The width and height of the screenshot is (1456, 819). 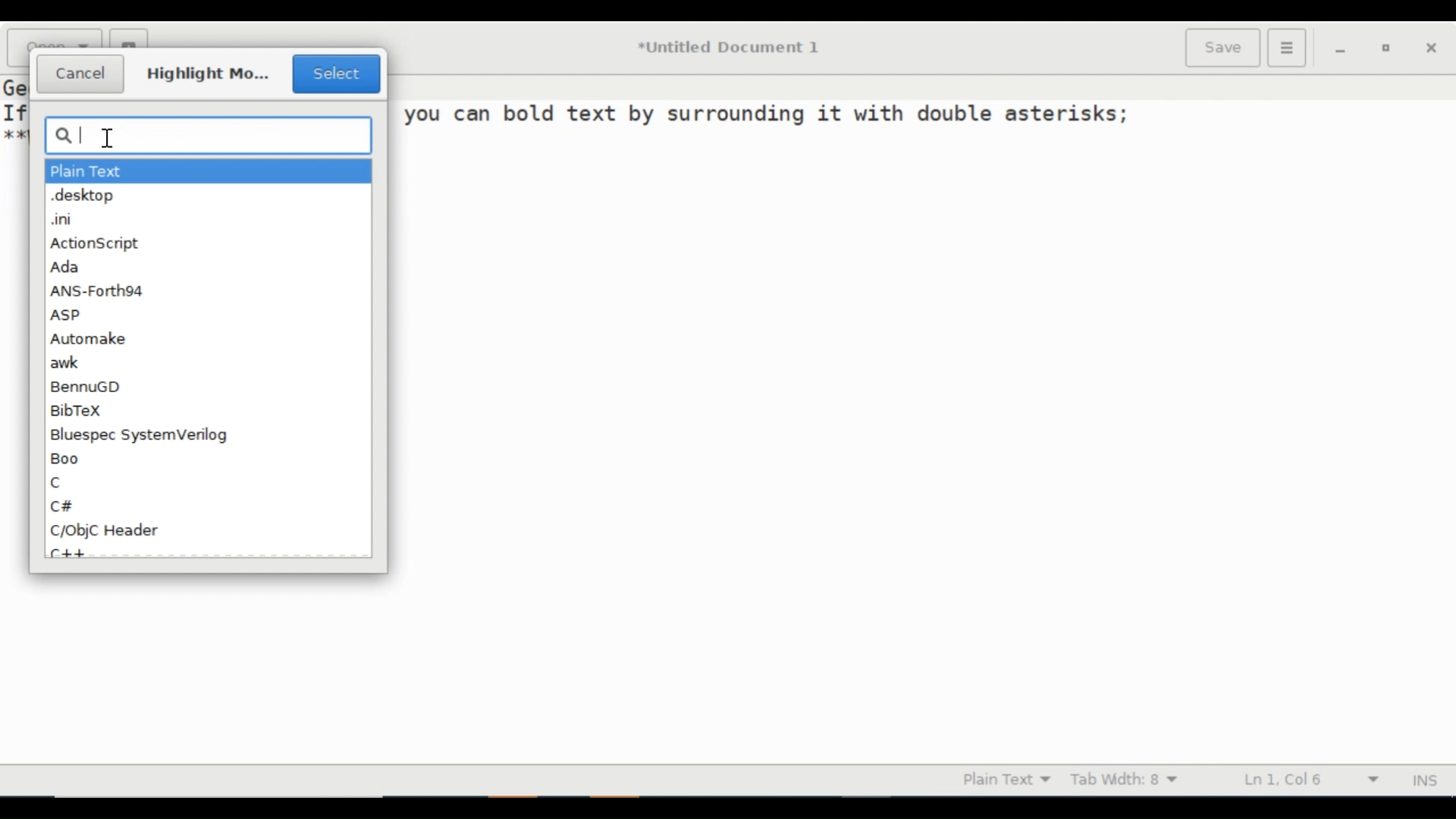 I want to click on C/ObjC Header, so click(x=106, y=531).